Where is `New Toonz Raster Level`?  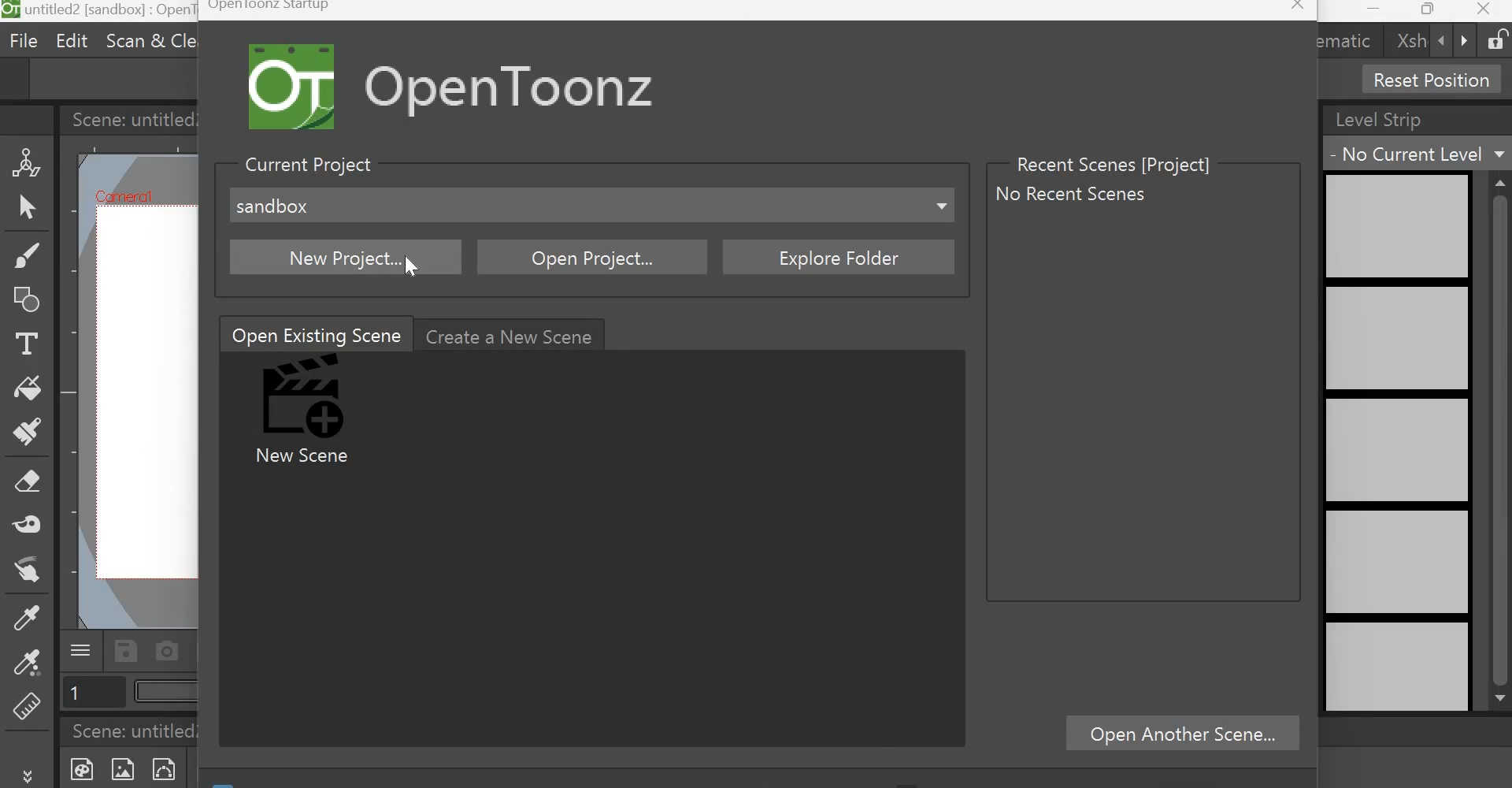
New Toonz Raster Level is located at coordinates (80, 768).